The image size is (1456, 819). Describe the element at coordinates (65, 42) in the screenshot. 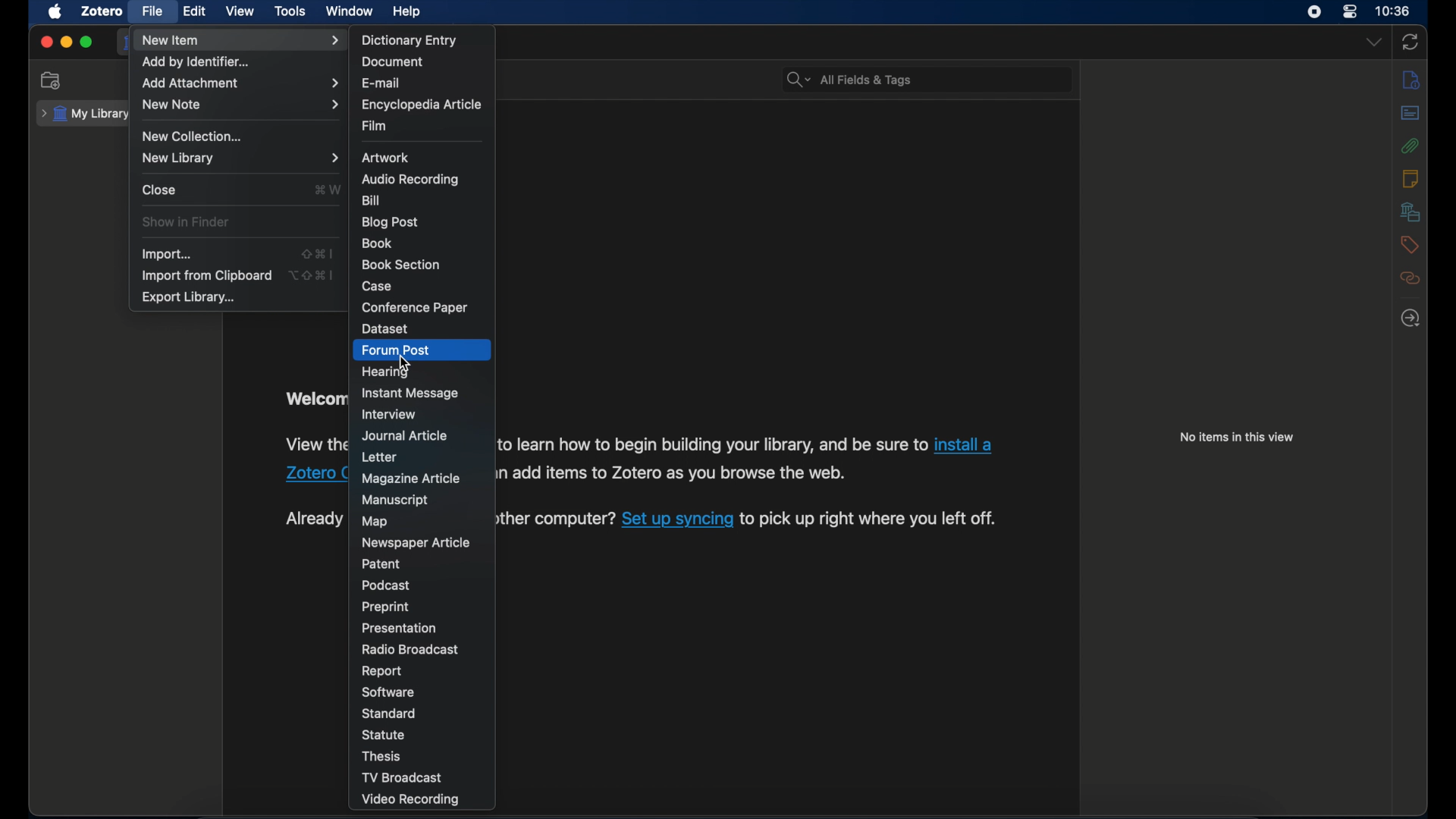

I see `minimize` at that location.